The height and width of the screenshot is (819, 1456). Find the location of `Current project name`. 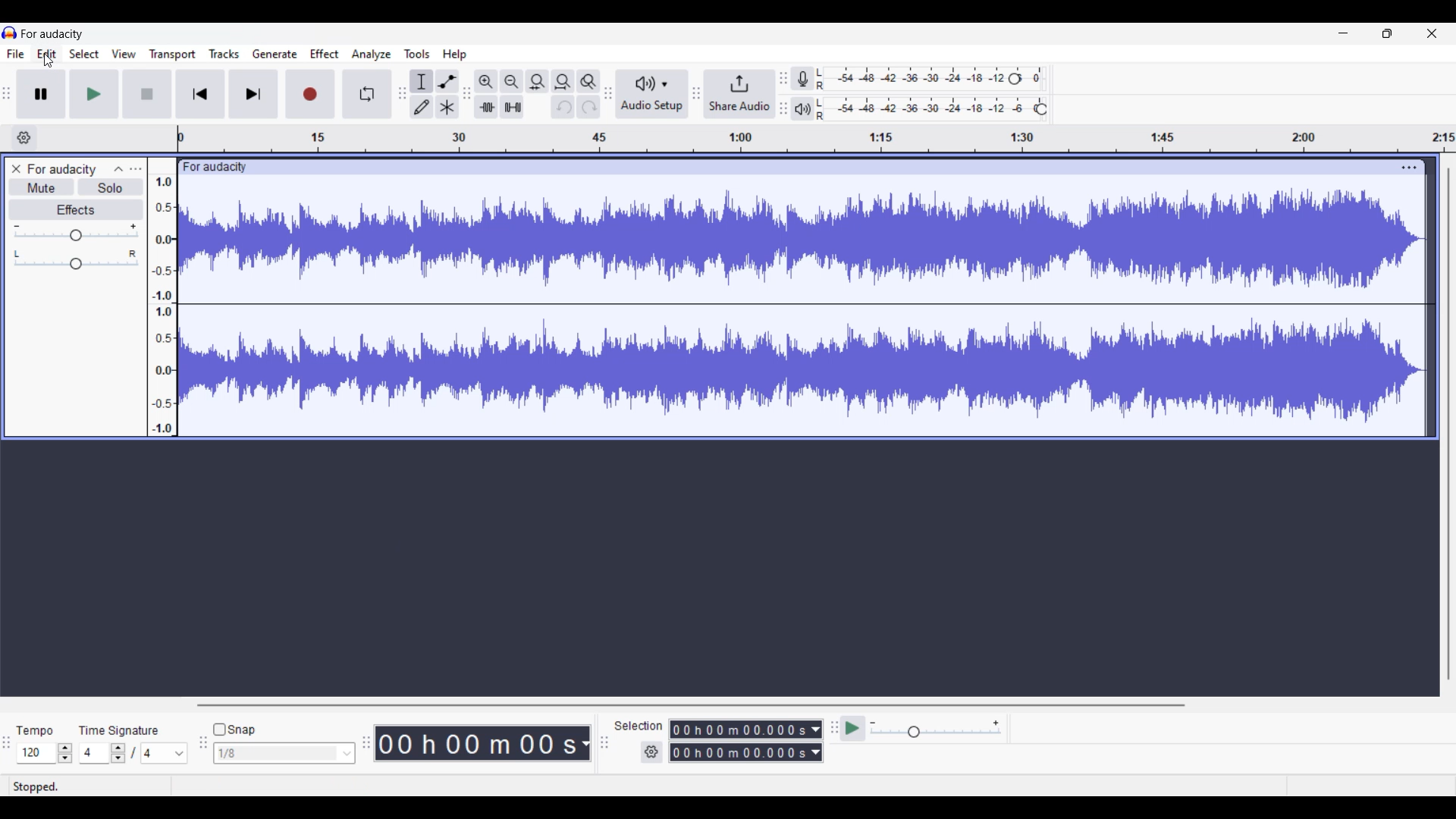

Current project name is located at coordinates (52, 34).